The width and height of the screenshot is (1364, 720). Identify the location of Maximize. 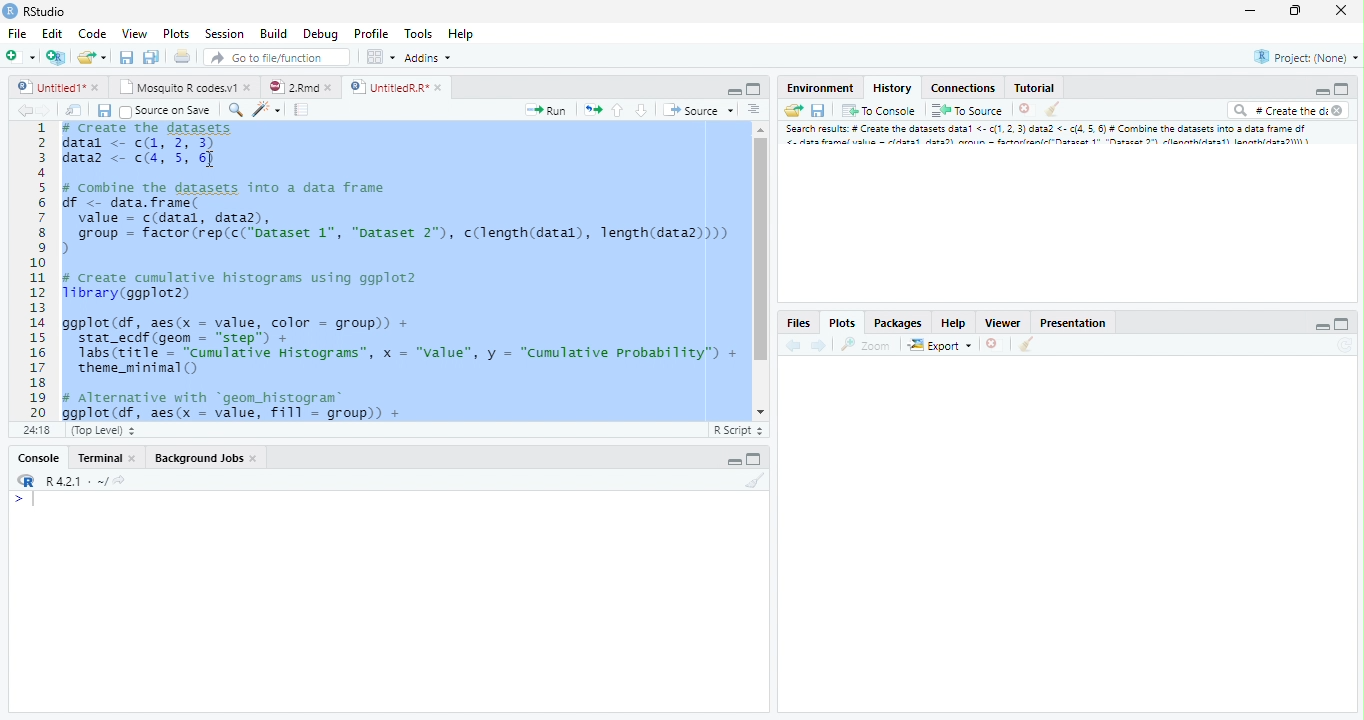
(1344, 323).